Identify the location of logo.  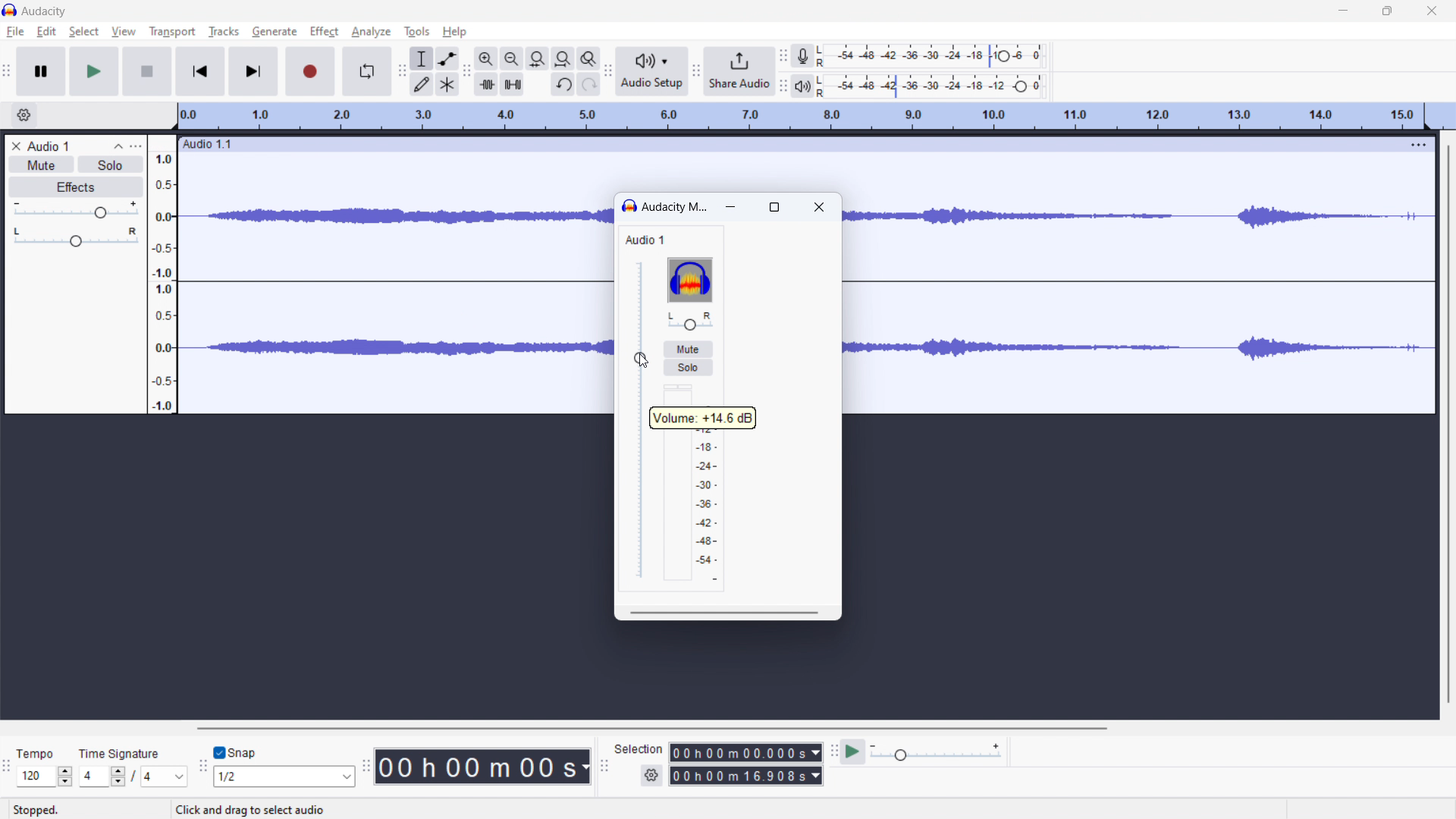
(629, 207).